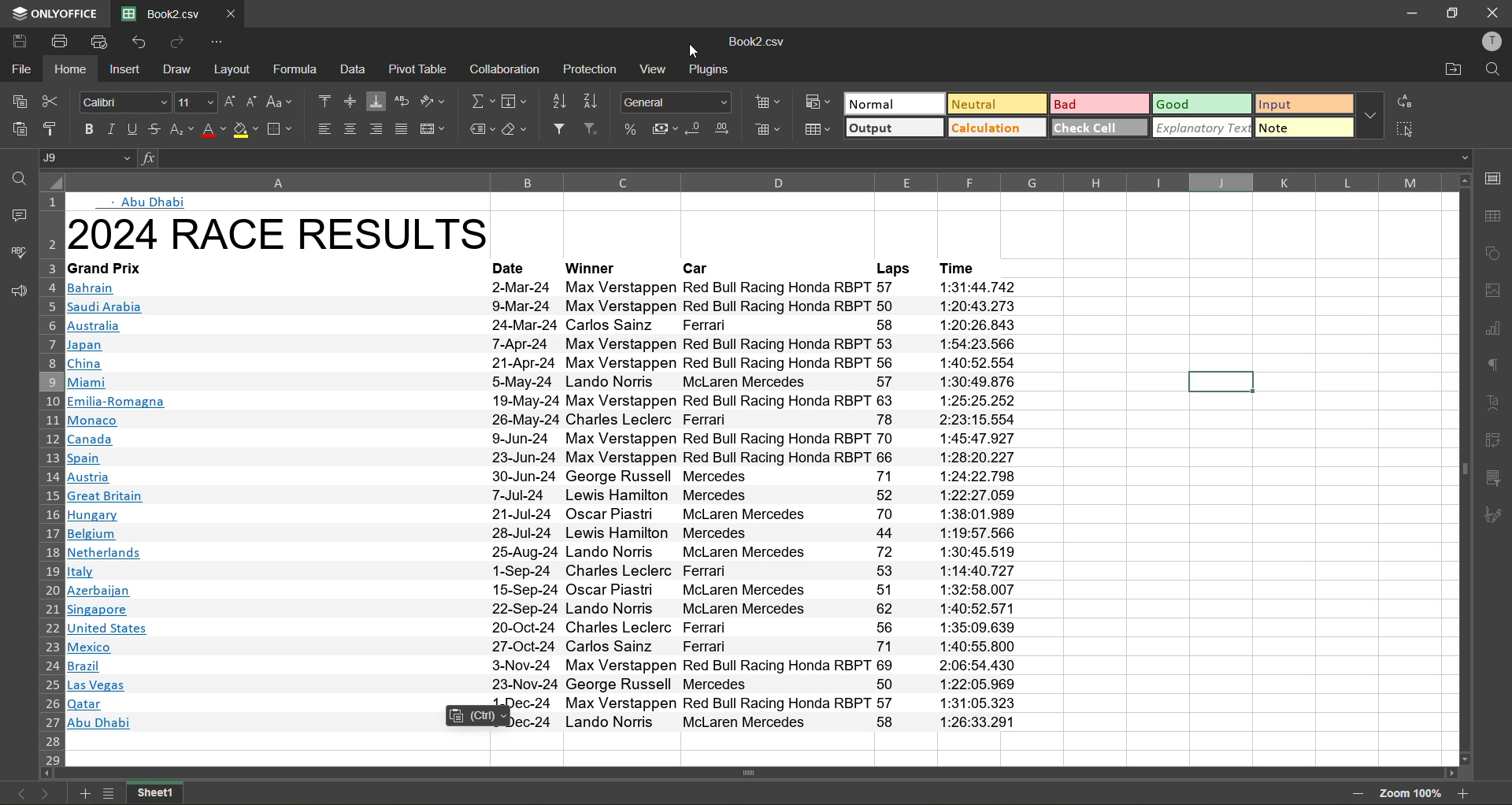  Describe the element at coordinates (821, 129) in the screenshot. I see `format as table` at that location.